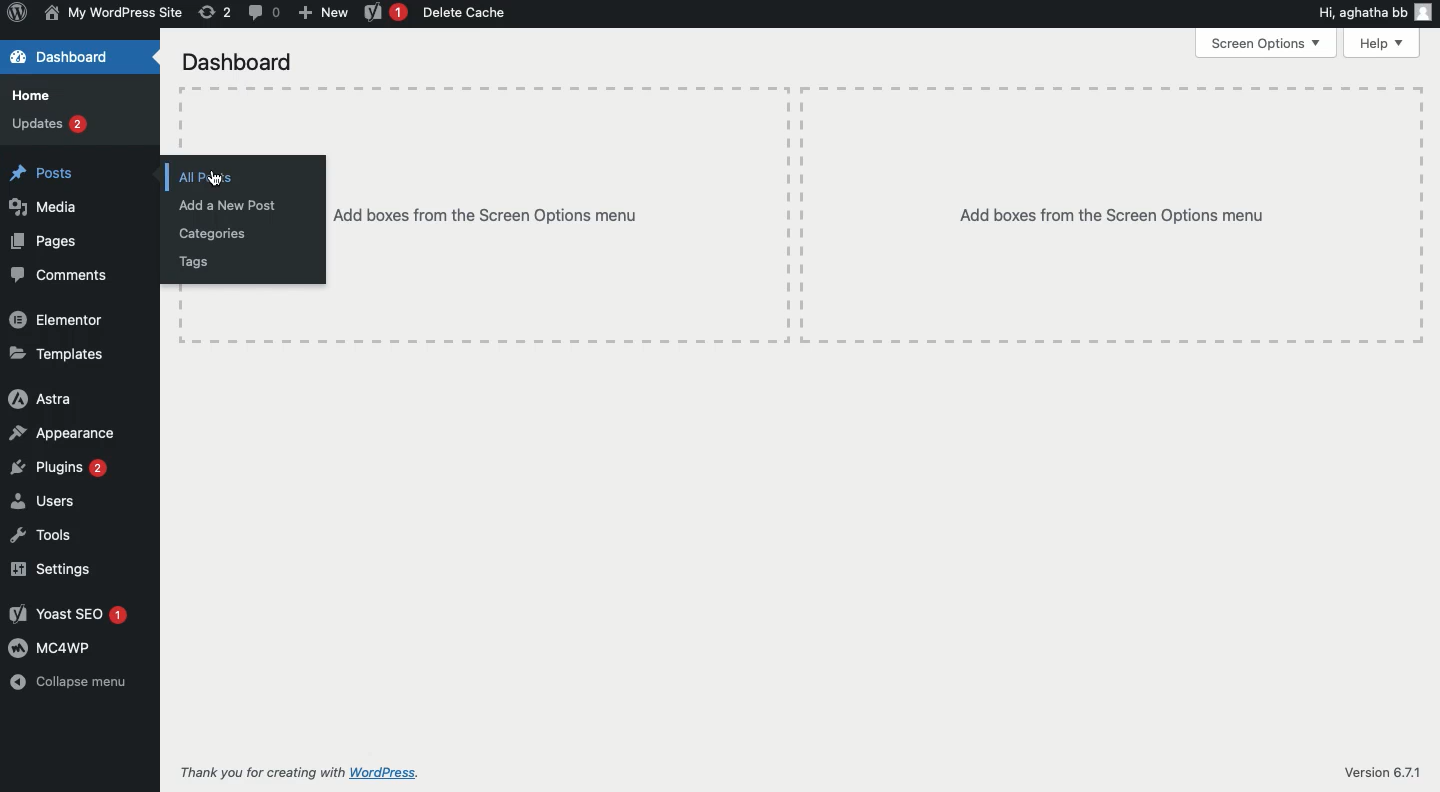  What do you see at coordinates (234, 62) in the screenshot?
I see `Dashboard` at bounding box center [234, 62].